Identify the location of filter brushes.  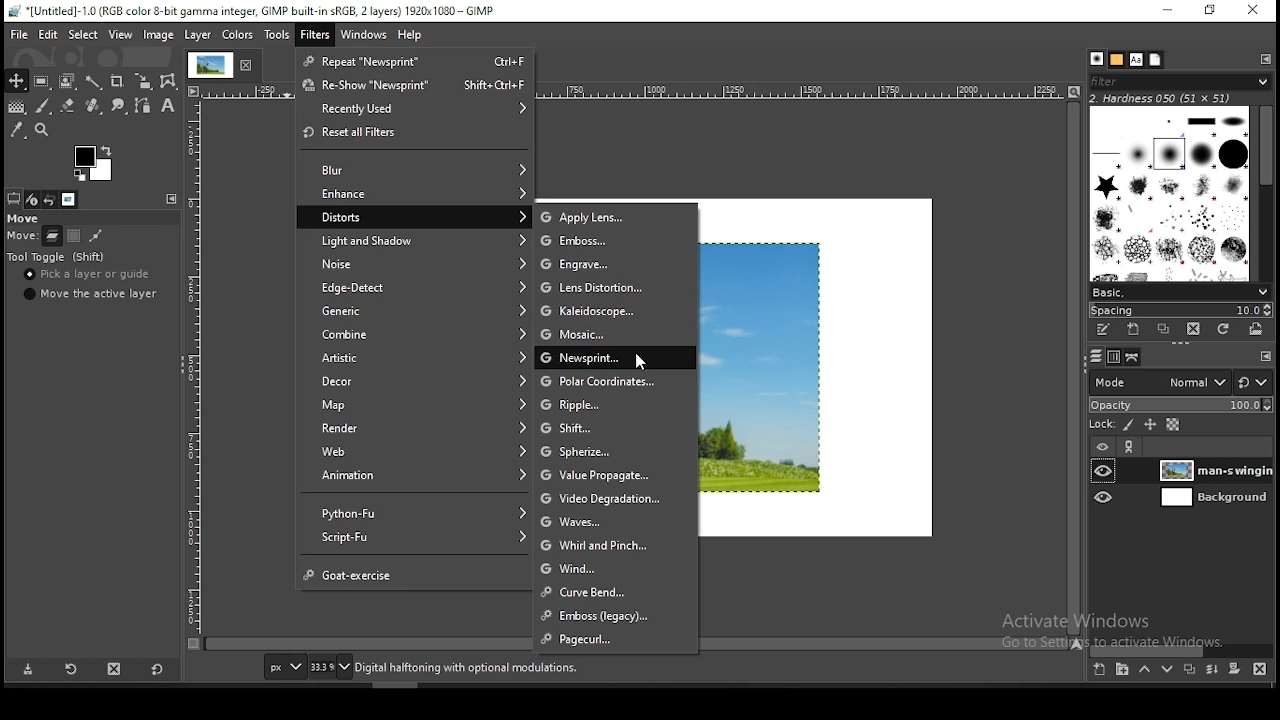
(1179, 82).